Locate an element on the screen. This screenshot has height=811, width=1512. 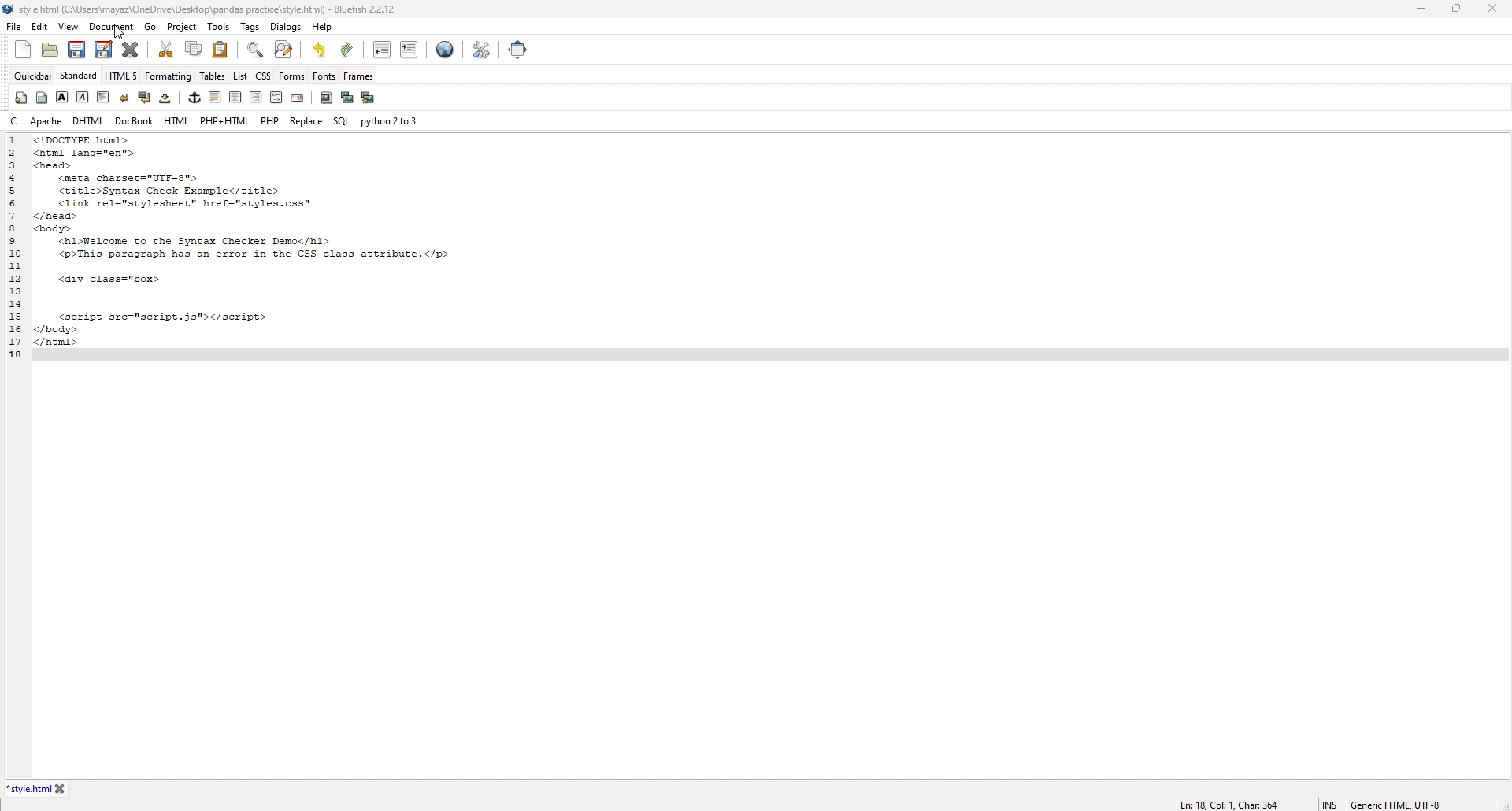
| style.html (C:\Users\mayaz\OneDrive\Desktop\pandas practice\style.html) - Bluefish 2.2.12. is located at coordinates (209, 11).